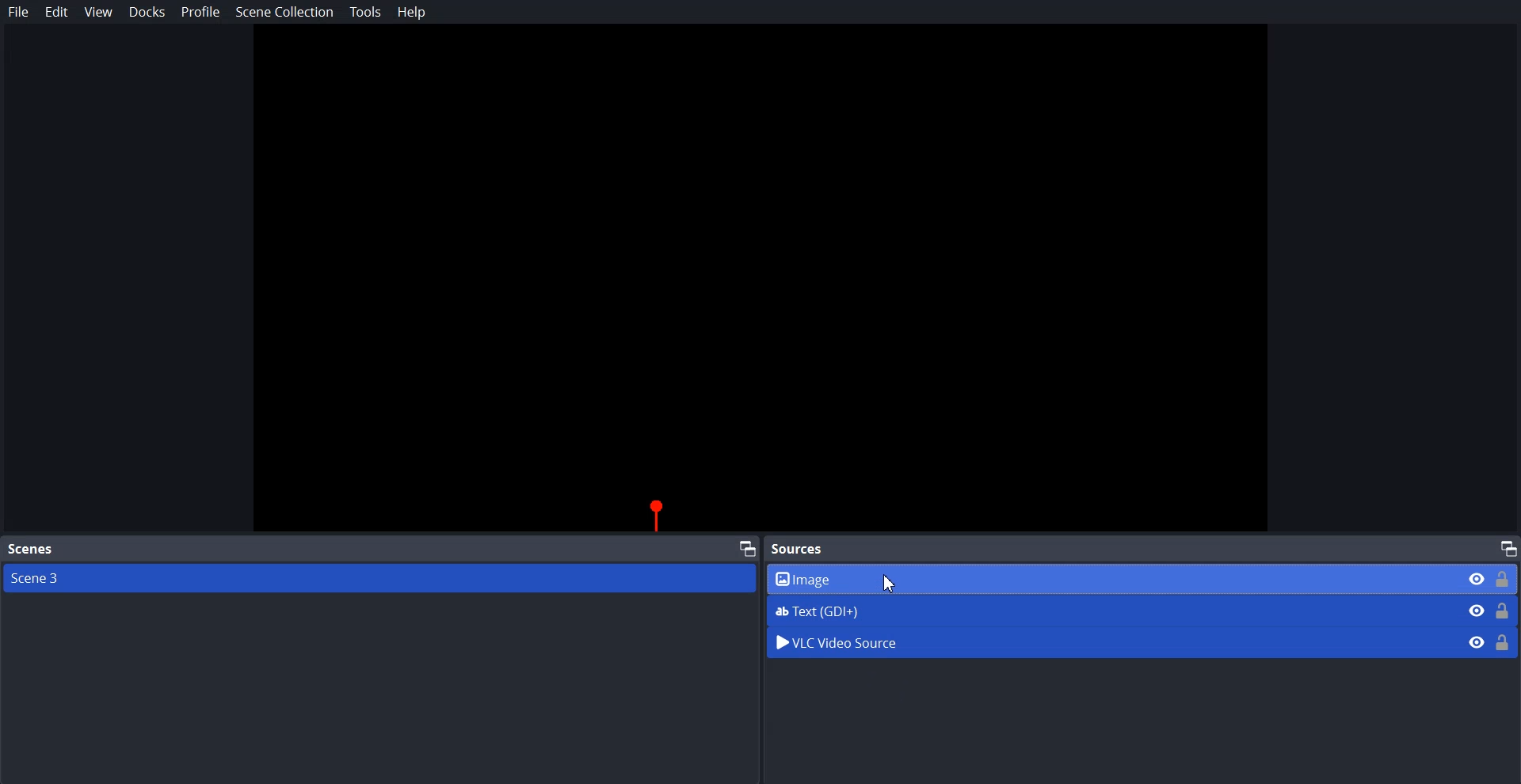  I want to click on Text (GDI+), so click(1143, 611).